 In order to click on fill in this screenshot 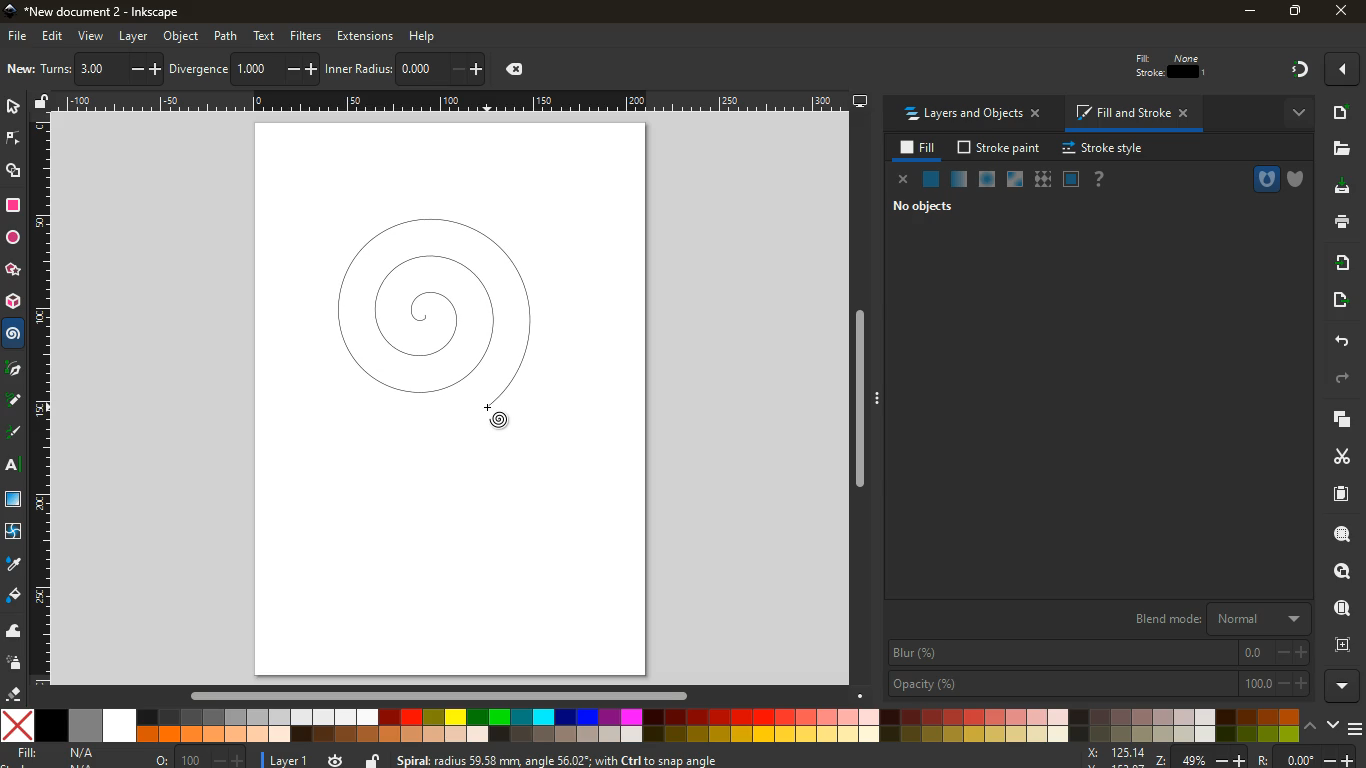, I will do `click(12, 596)`.